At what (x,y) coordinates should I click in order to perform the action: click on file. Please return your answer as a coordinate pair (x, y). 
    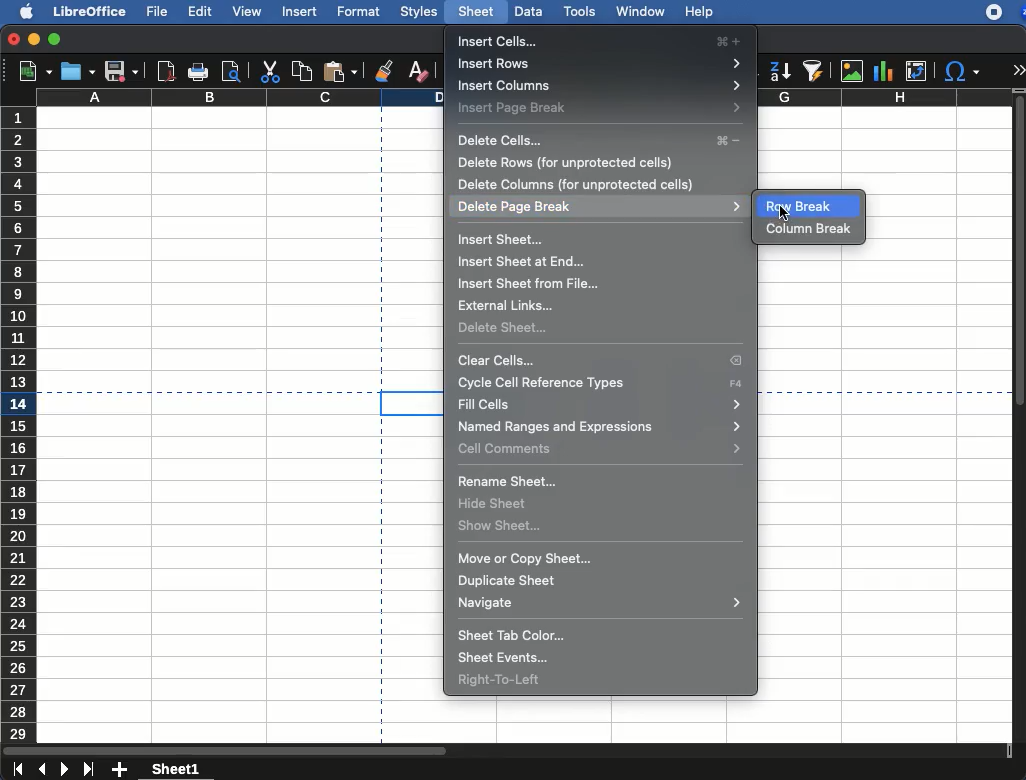
    Looking at the image, I should click on (155, 11).